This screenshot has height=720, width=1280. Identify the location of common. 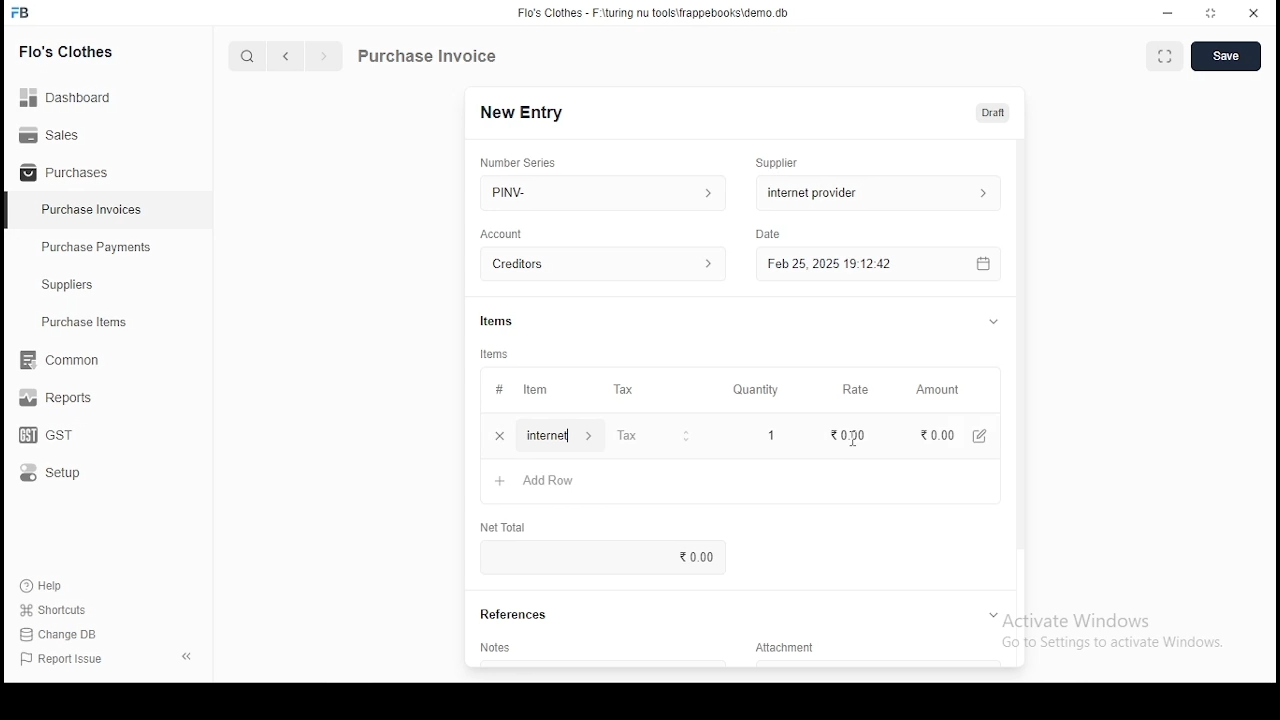
(65, 360).